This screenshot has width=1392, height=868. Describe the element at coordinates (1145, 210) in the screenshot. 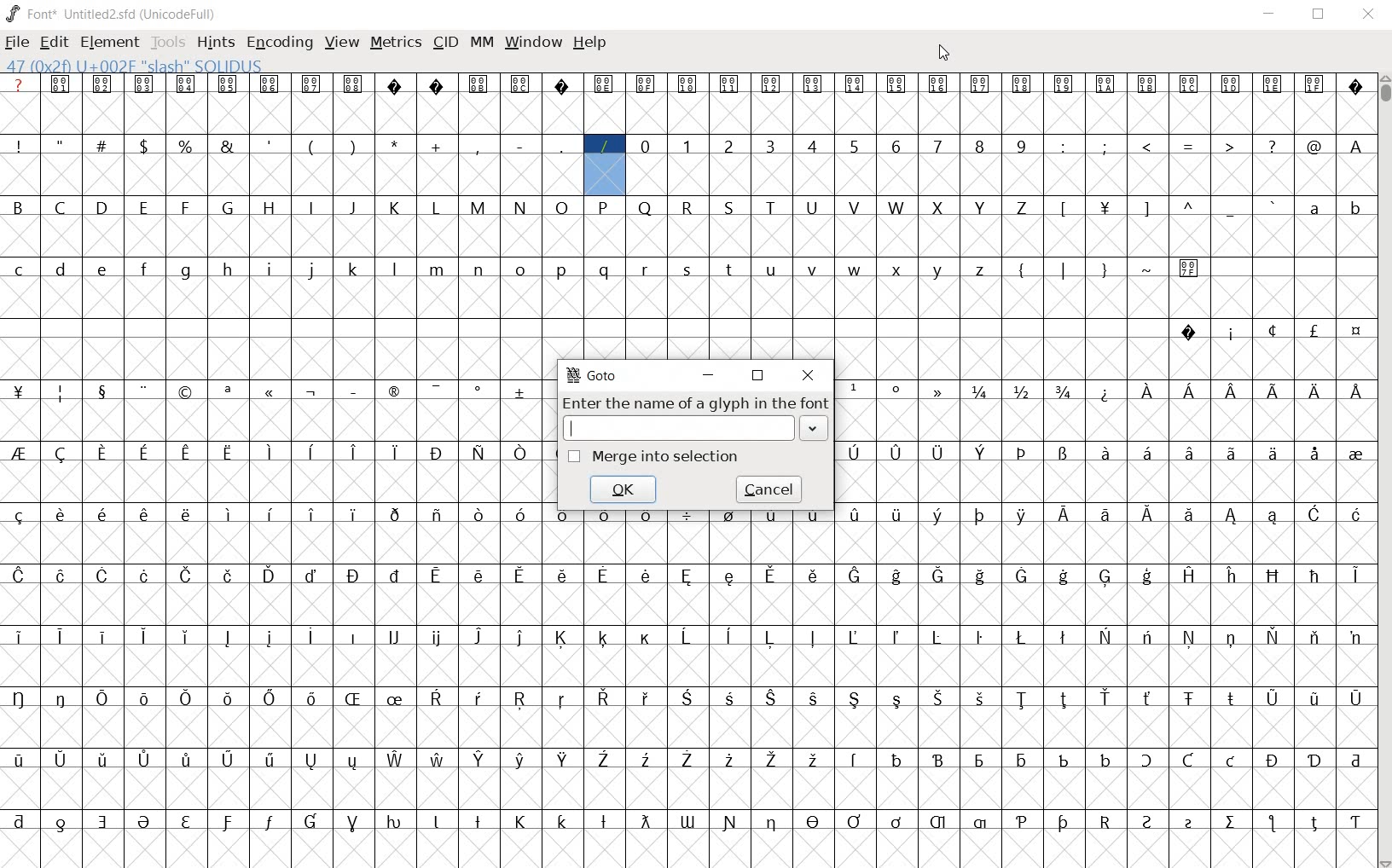

I see `glyph` at that location.